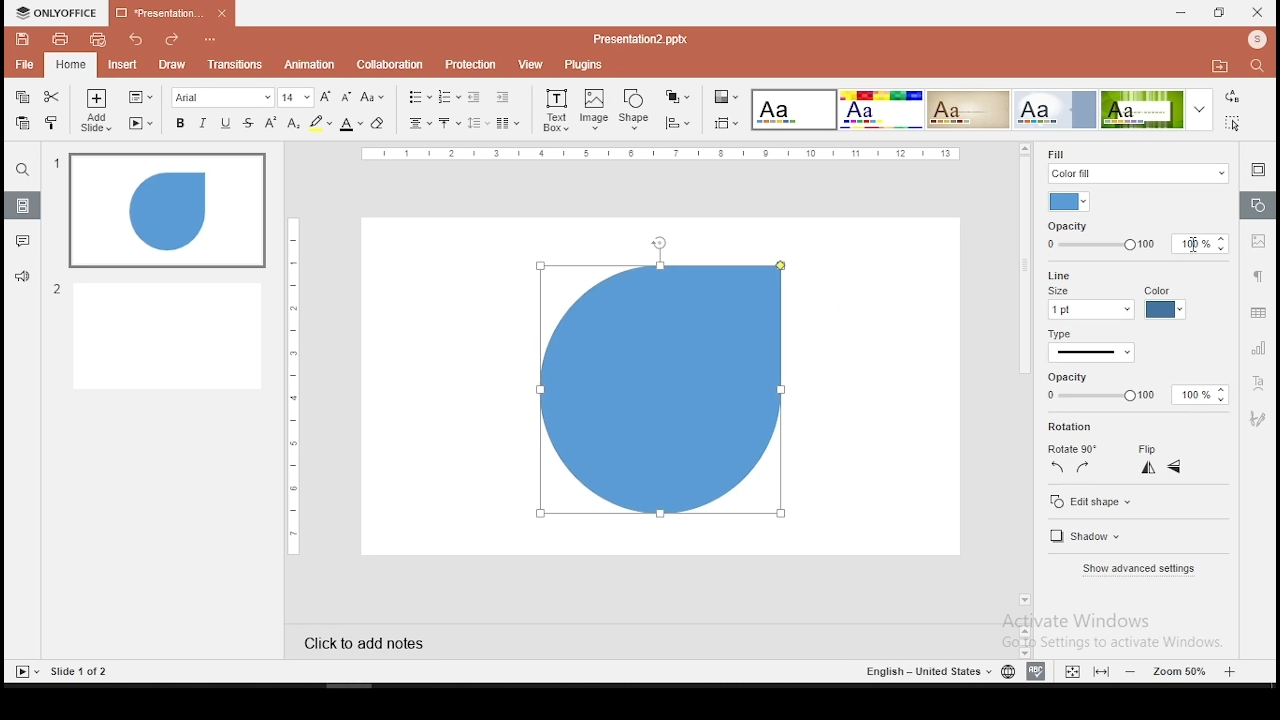 The height and width of the screenshot is (720, 1280). I want to click on table settings, so click(1257, 314).